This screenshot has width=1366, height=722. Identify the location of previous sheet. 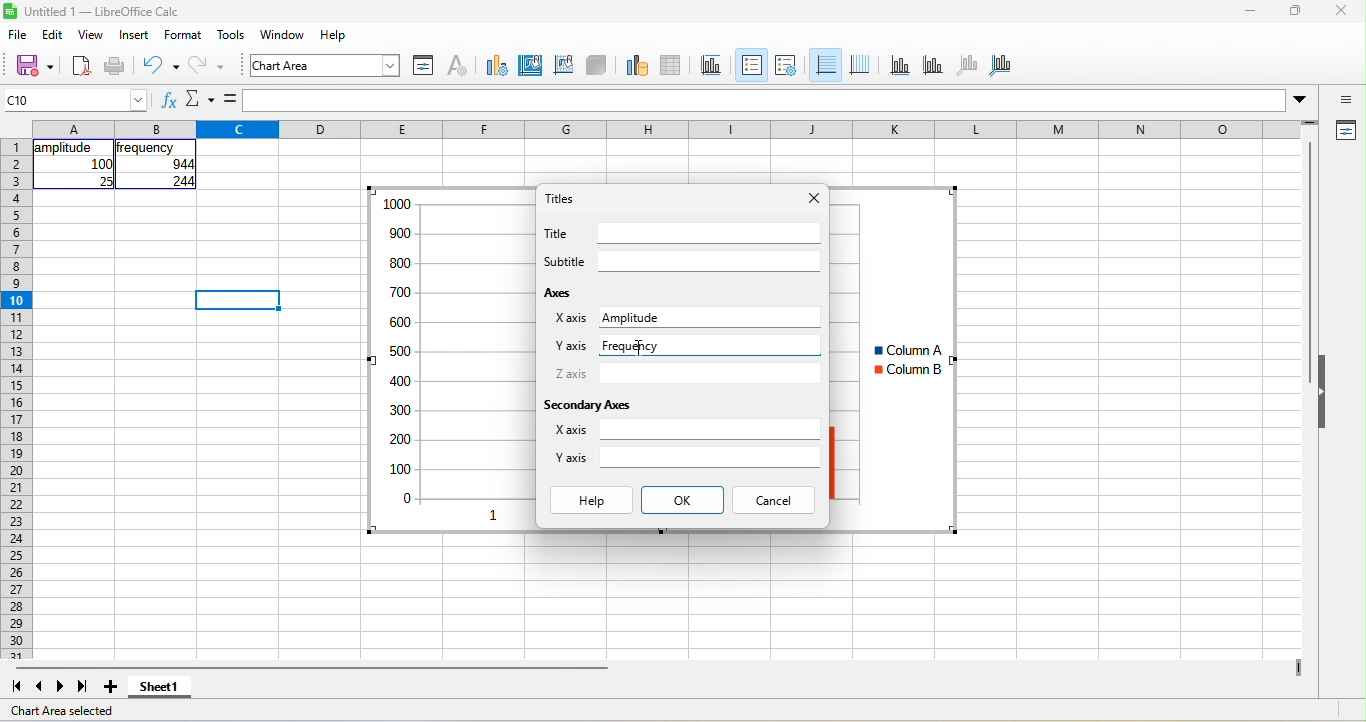
(40, 687).